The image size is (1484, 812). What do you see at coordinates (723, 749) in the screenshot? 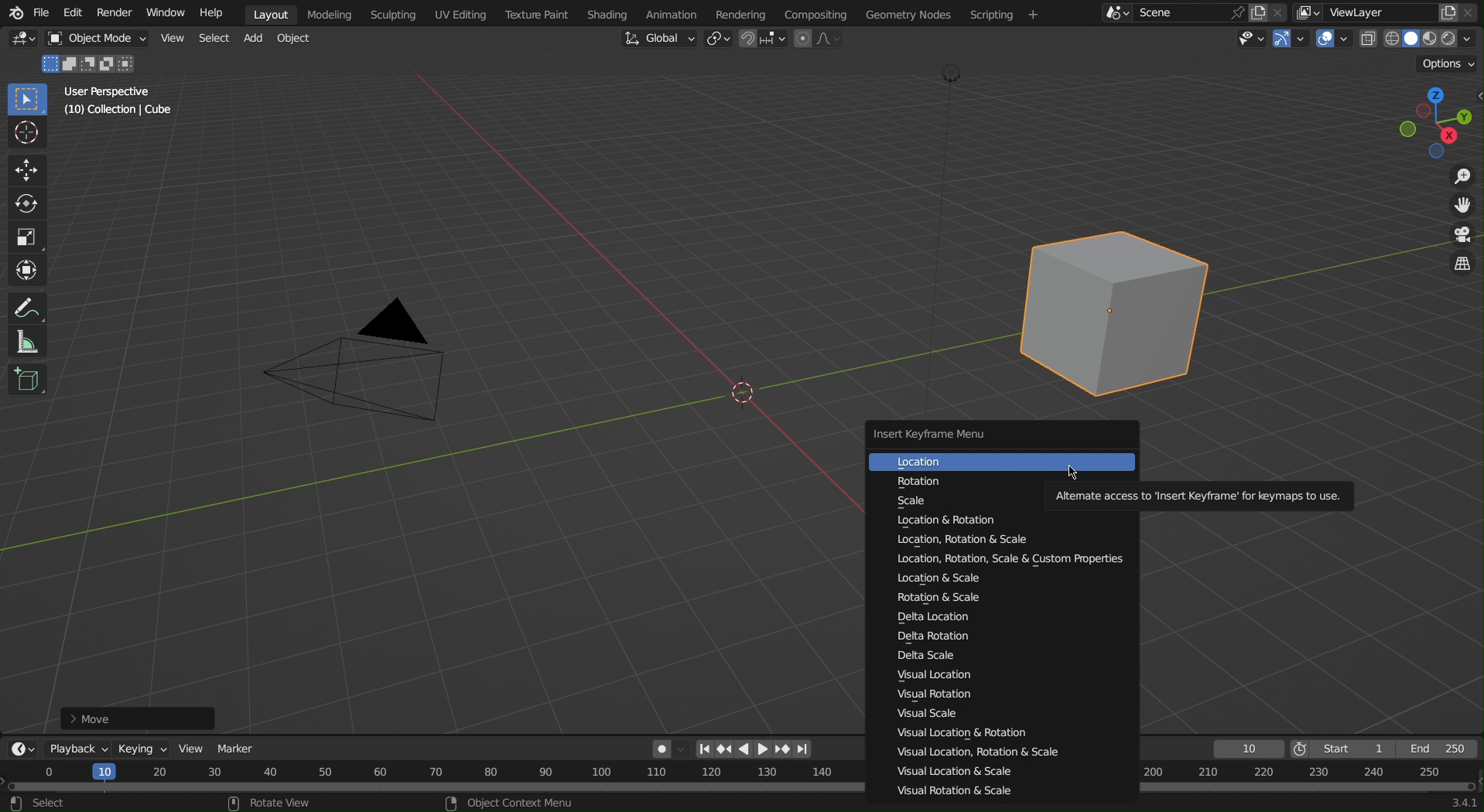
I see `Previous` at bounding box center [723, 749].